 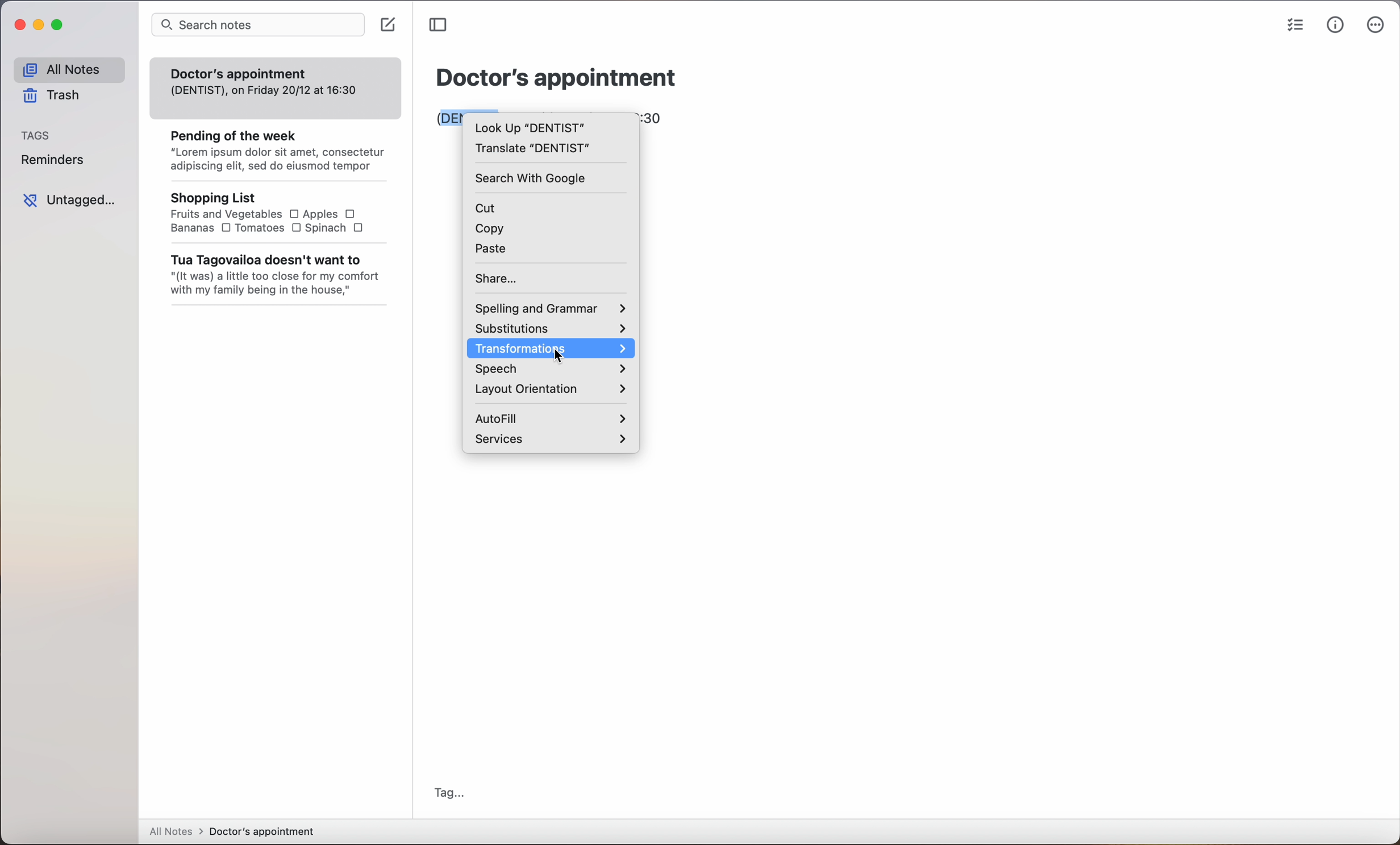 I want to click on services, so click(x=551, y=440).